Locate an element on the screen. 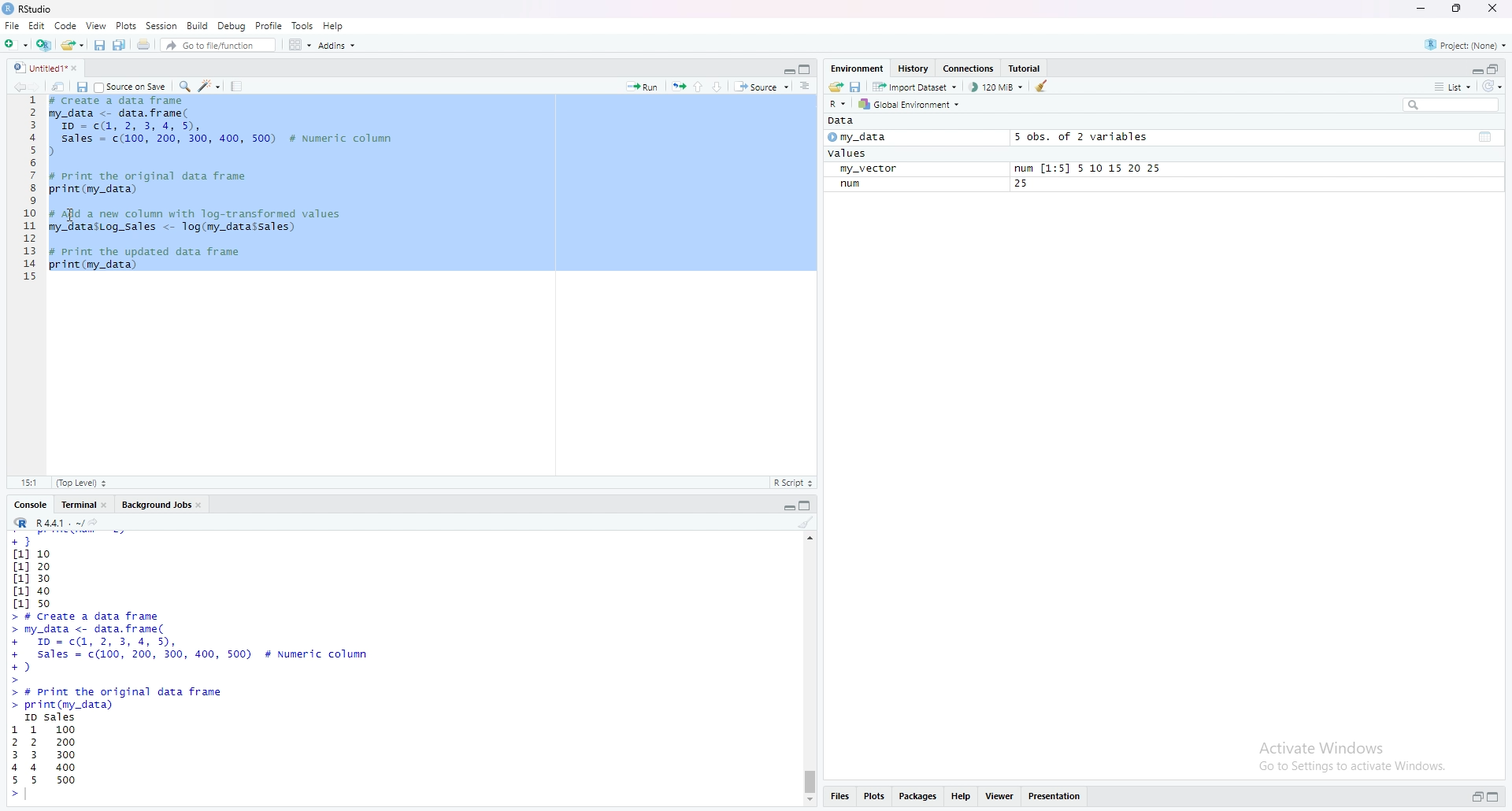 This screenshot has height=811, width=1512. scrollbar is located at coordinates (812, 676).